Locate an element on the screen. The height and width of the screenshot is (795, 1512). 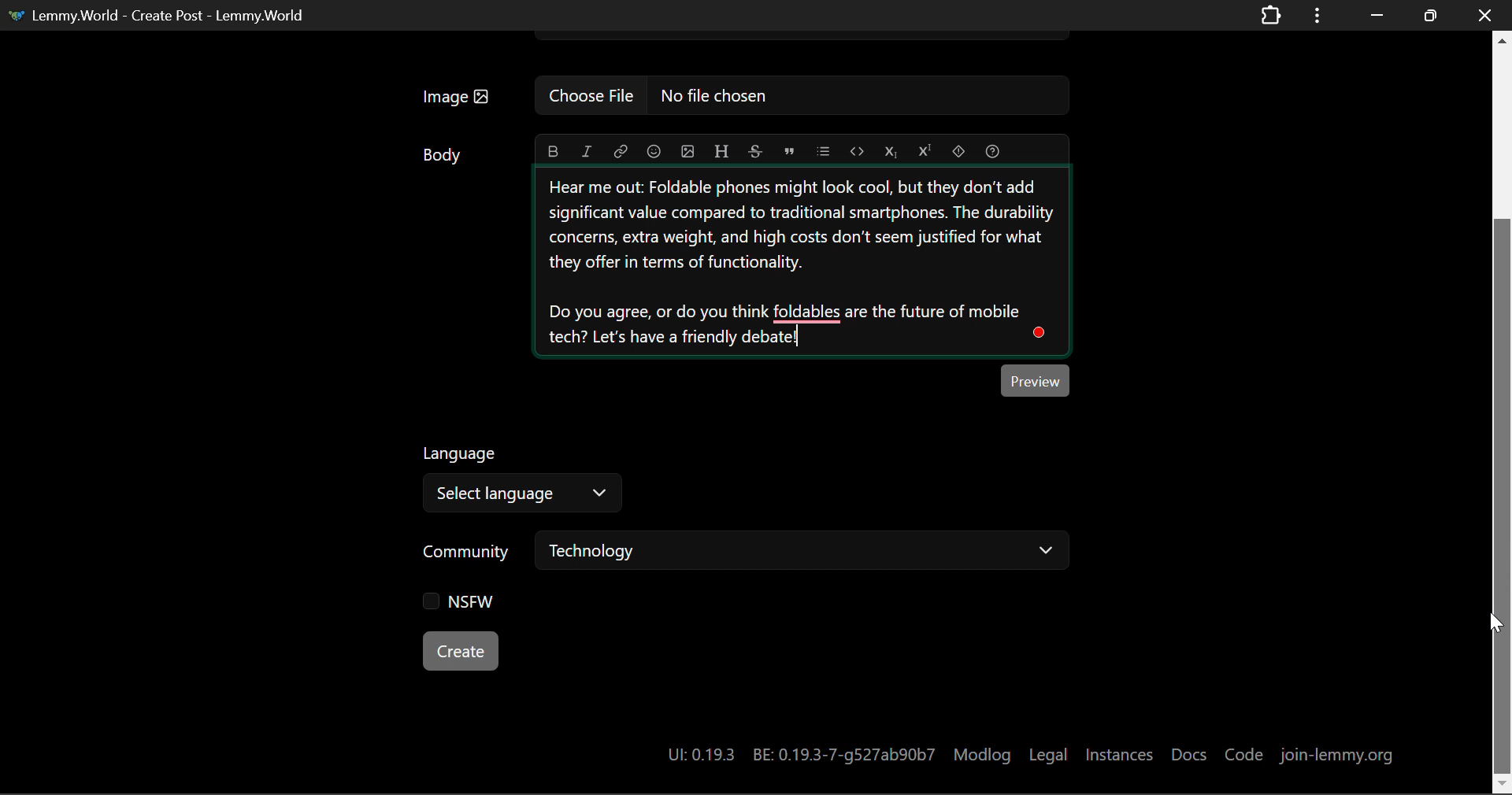
Unpopular Opinion Explainer is located at coordinates (803, 262).